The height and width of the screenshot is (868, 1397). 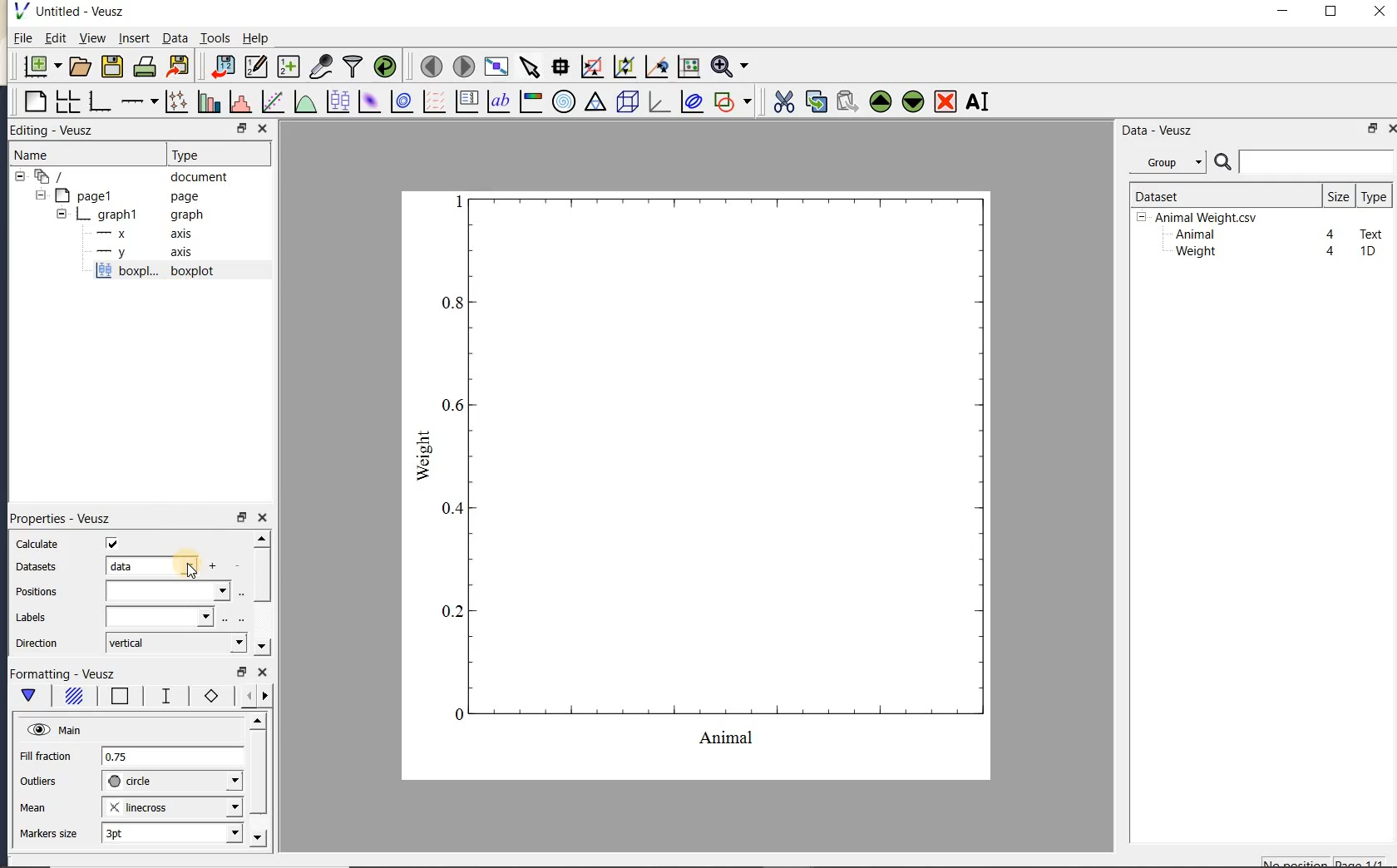 What do you see at coordinates (657, 67) in the screenshot?
I see `click to recenter graph axes` at bounding box center [657, 67].